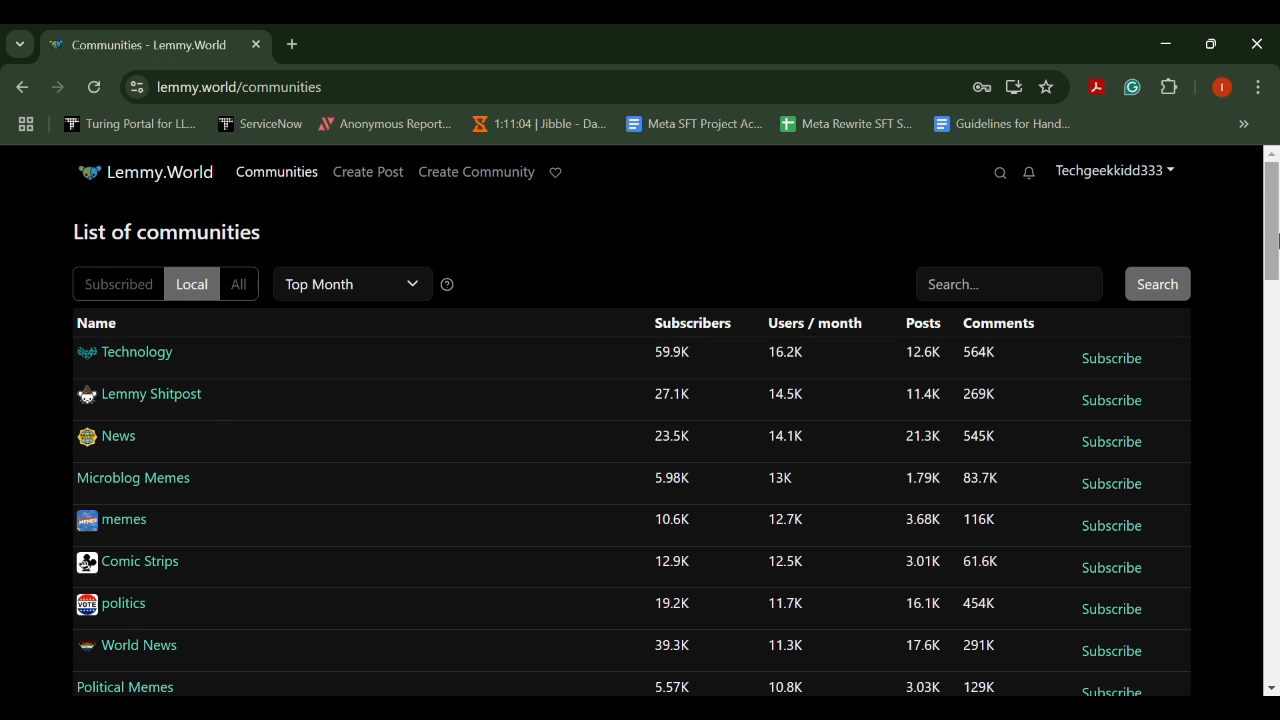  Describe the element at coordinates (113, 606) in the screenshot. I see `politics` at that location.